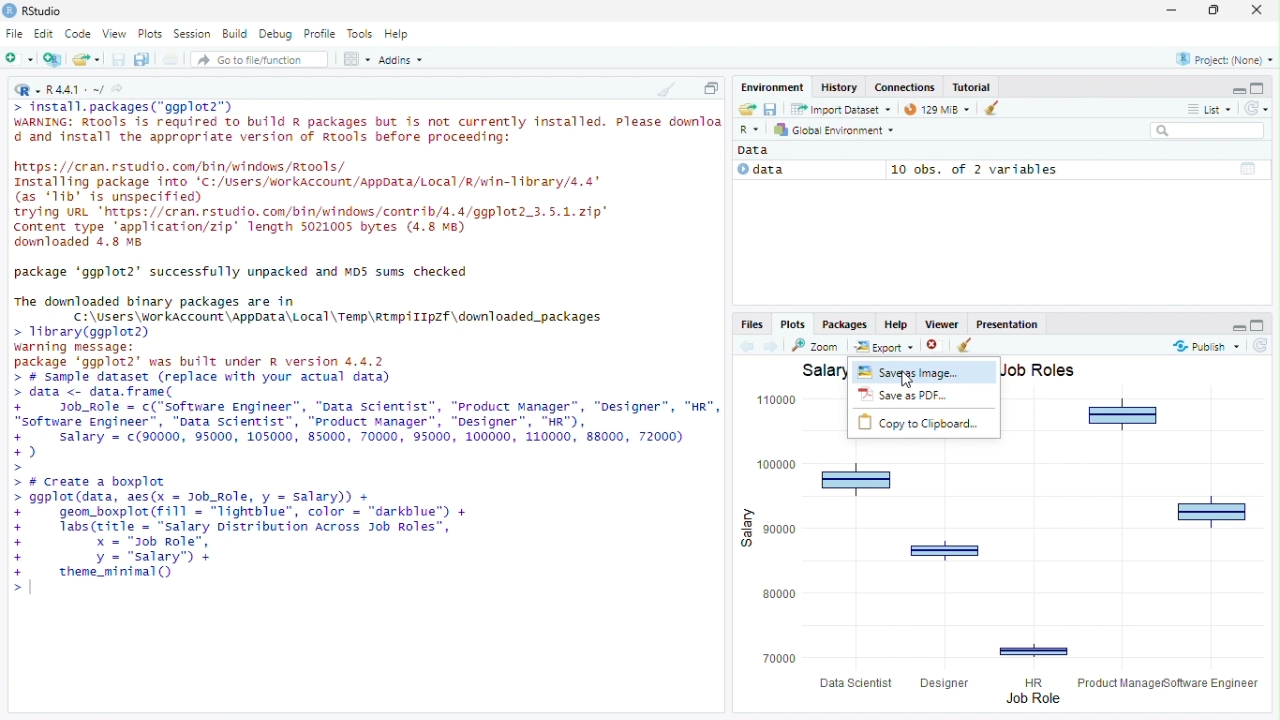  I want to click on R language version - R 4.4.4, so click(75, 91).